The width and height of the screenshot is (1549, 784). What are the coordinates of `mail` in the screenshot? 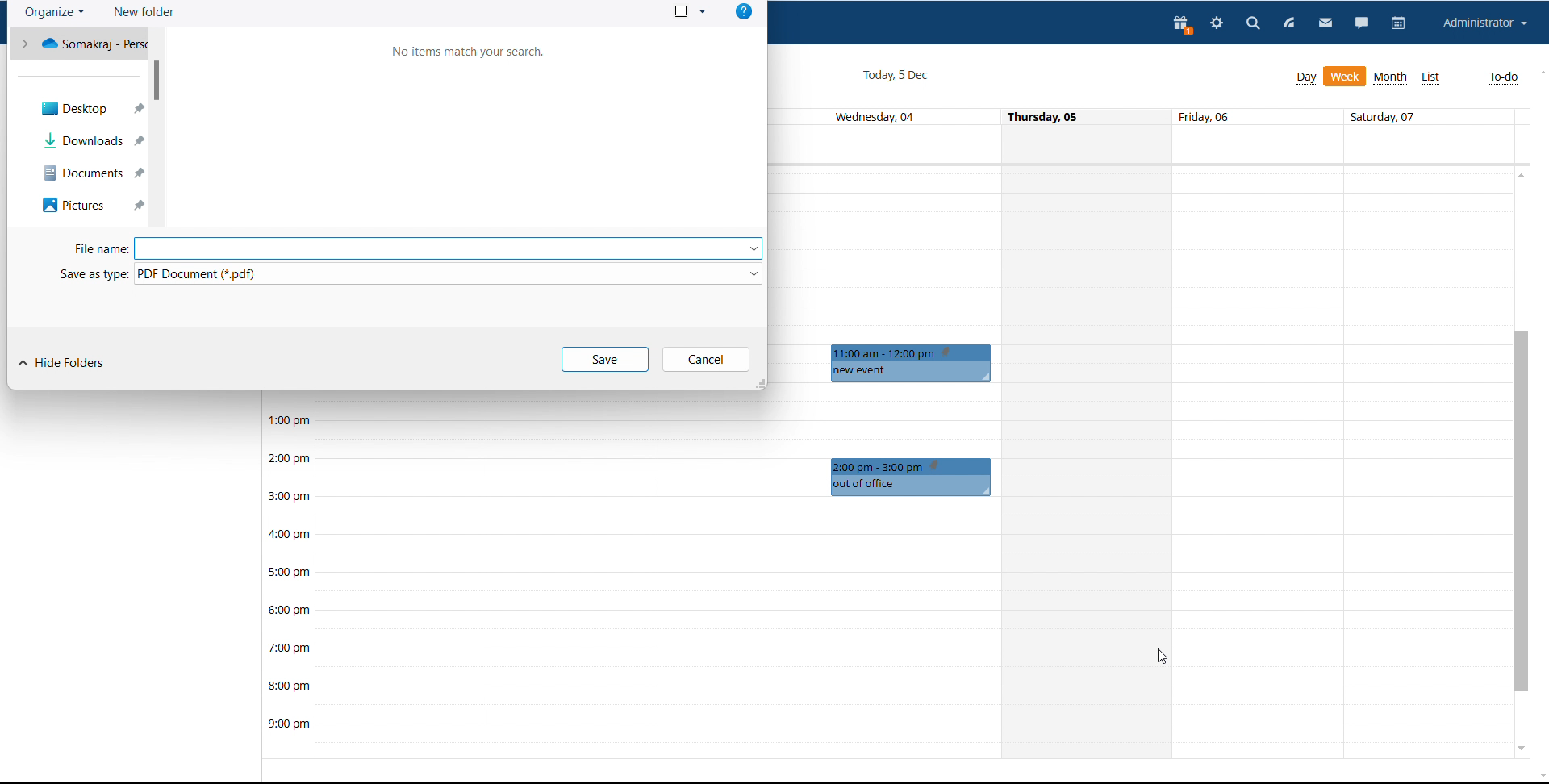 It's located at (1324, 25).